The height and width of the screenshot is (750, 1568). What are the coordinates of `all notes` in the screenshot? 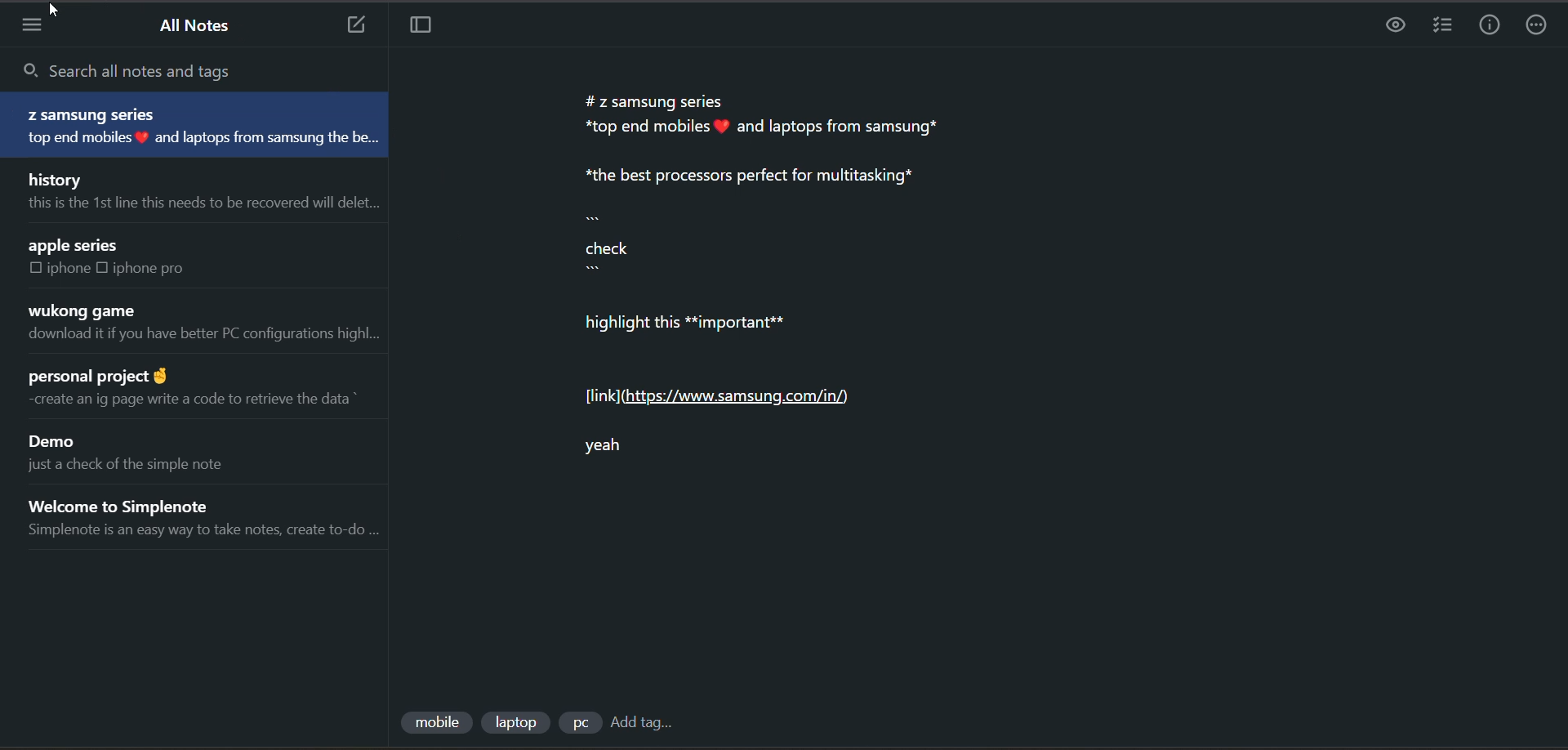 It's located at (199, 26).